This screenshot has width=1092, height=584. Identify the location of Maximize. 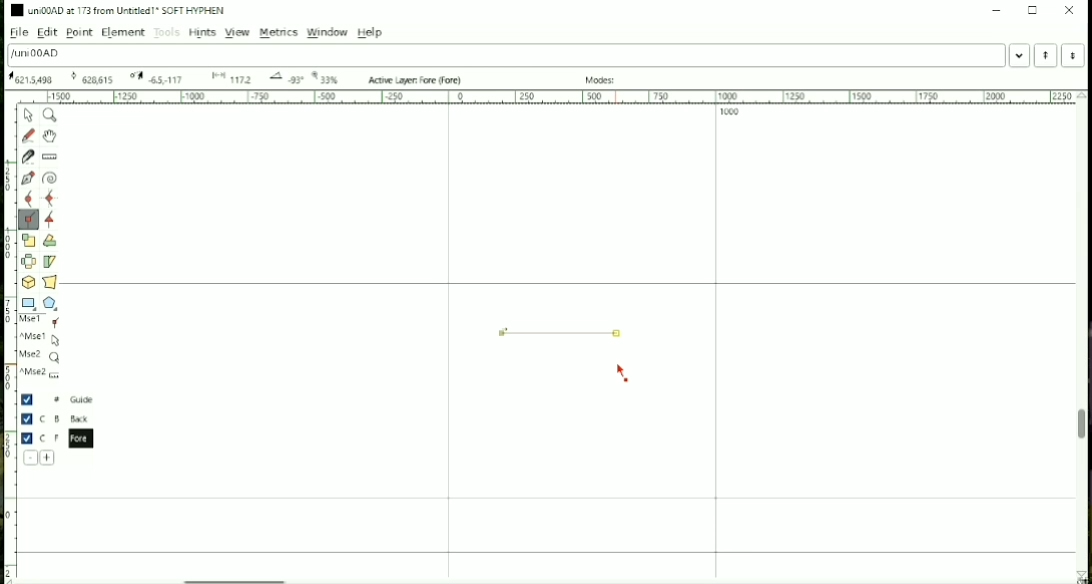
(1033, 10).